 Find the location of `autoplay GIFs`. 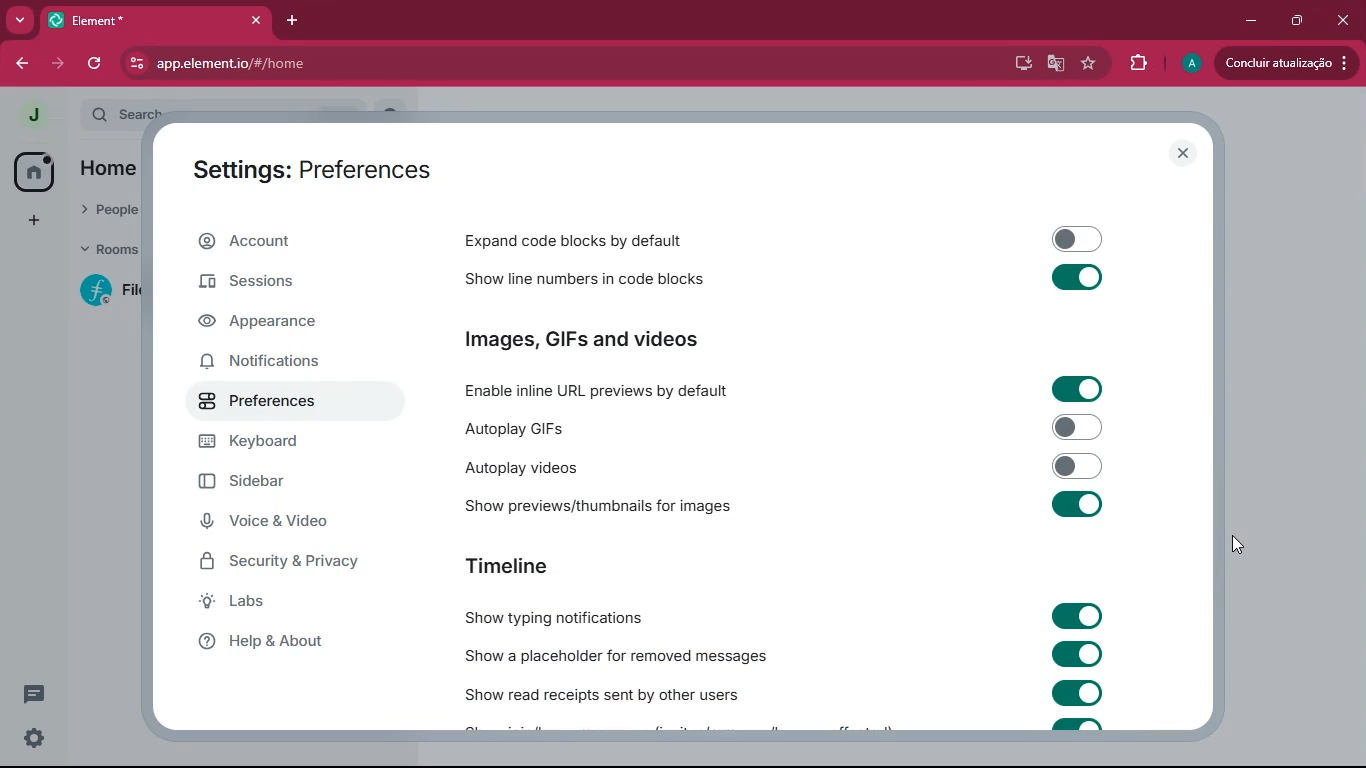

autoplay GIFs is located at coordinates (604, 425).